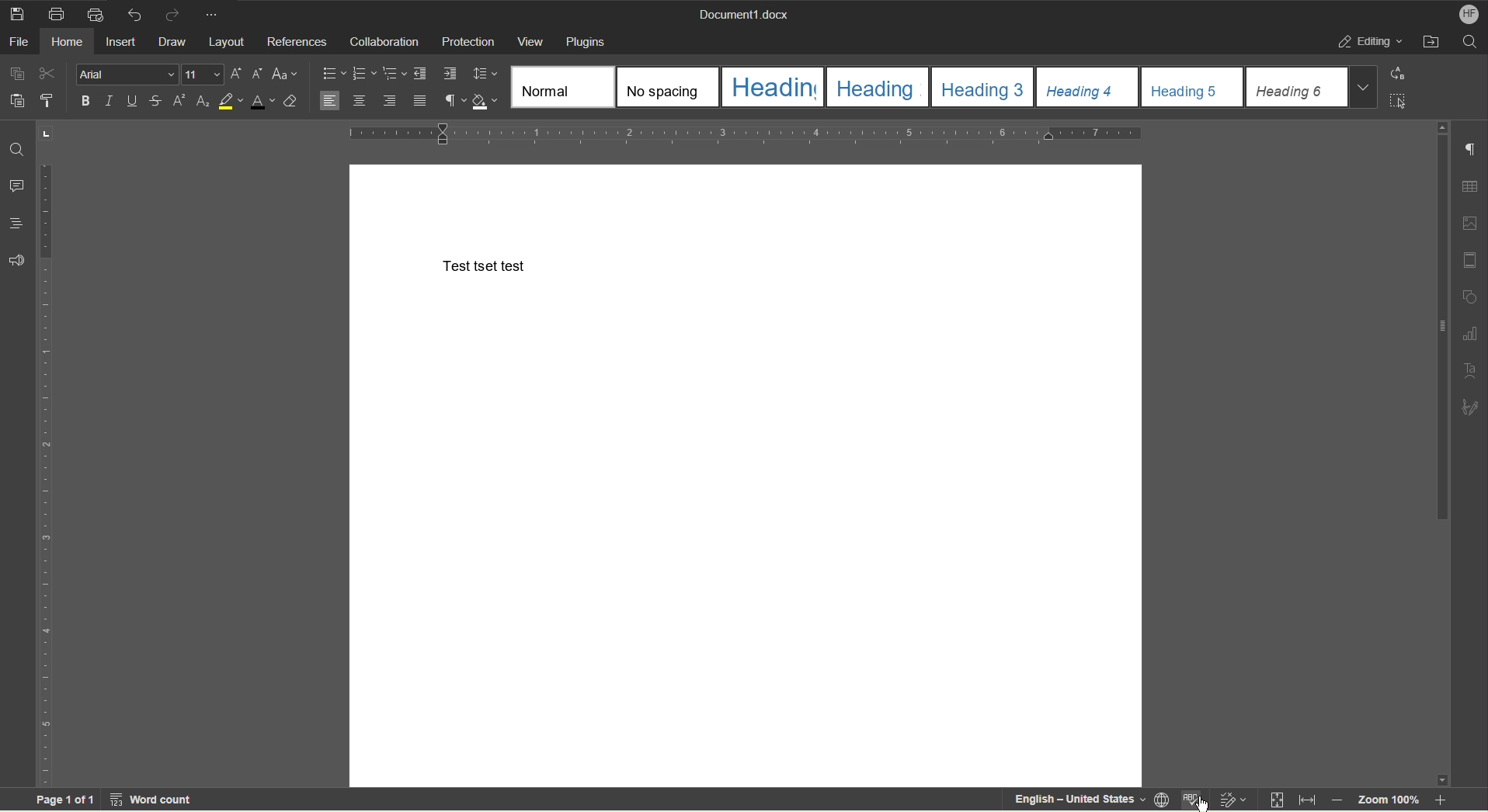  Describe the element at coordinates (154, 800) in the screenshot. I see `Word count` at that location.